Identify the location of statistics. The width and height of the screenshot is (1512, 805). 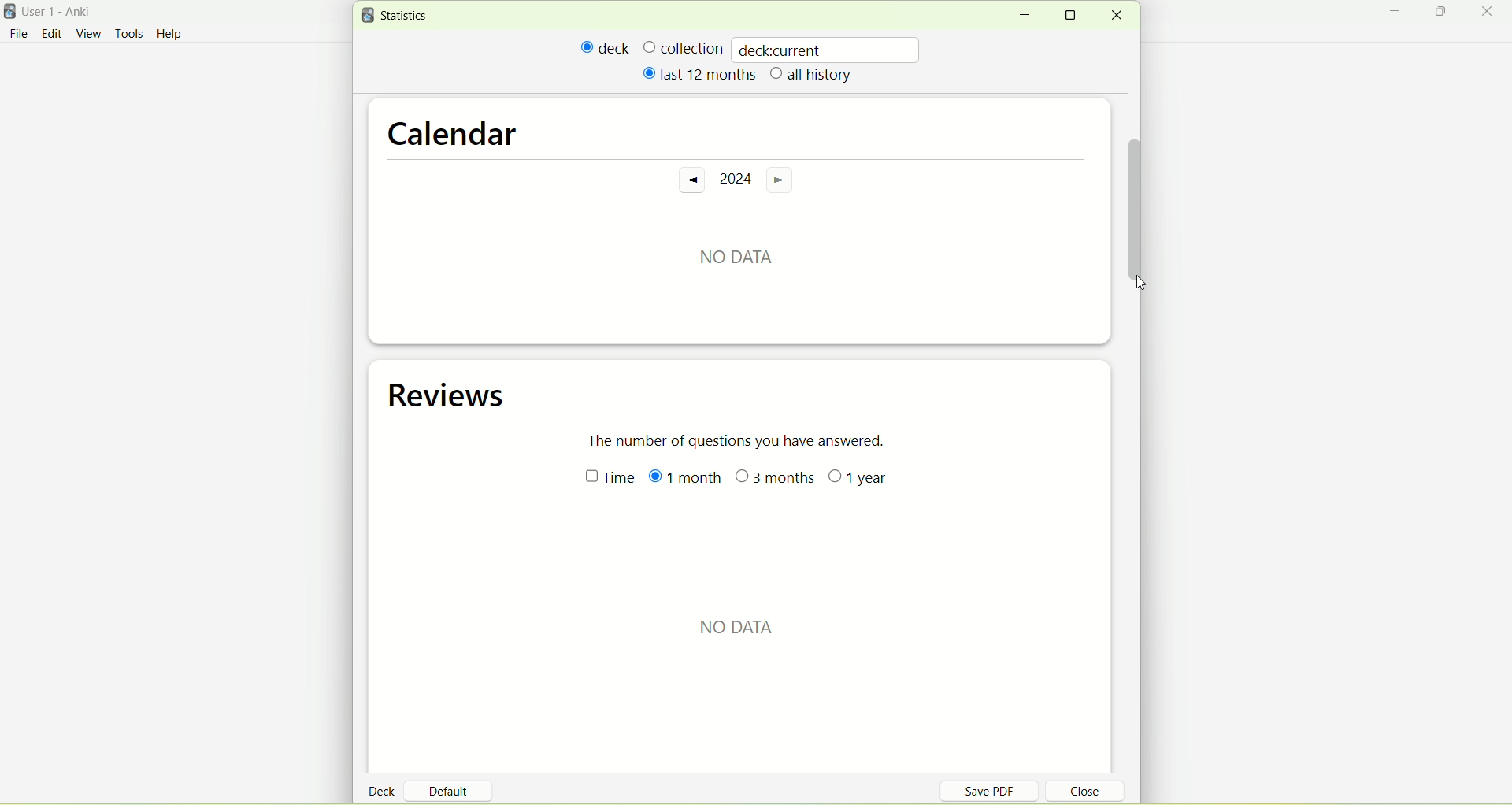
(398, 16).